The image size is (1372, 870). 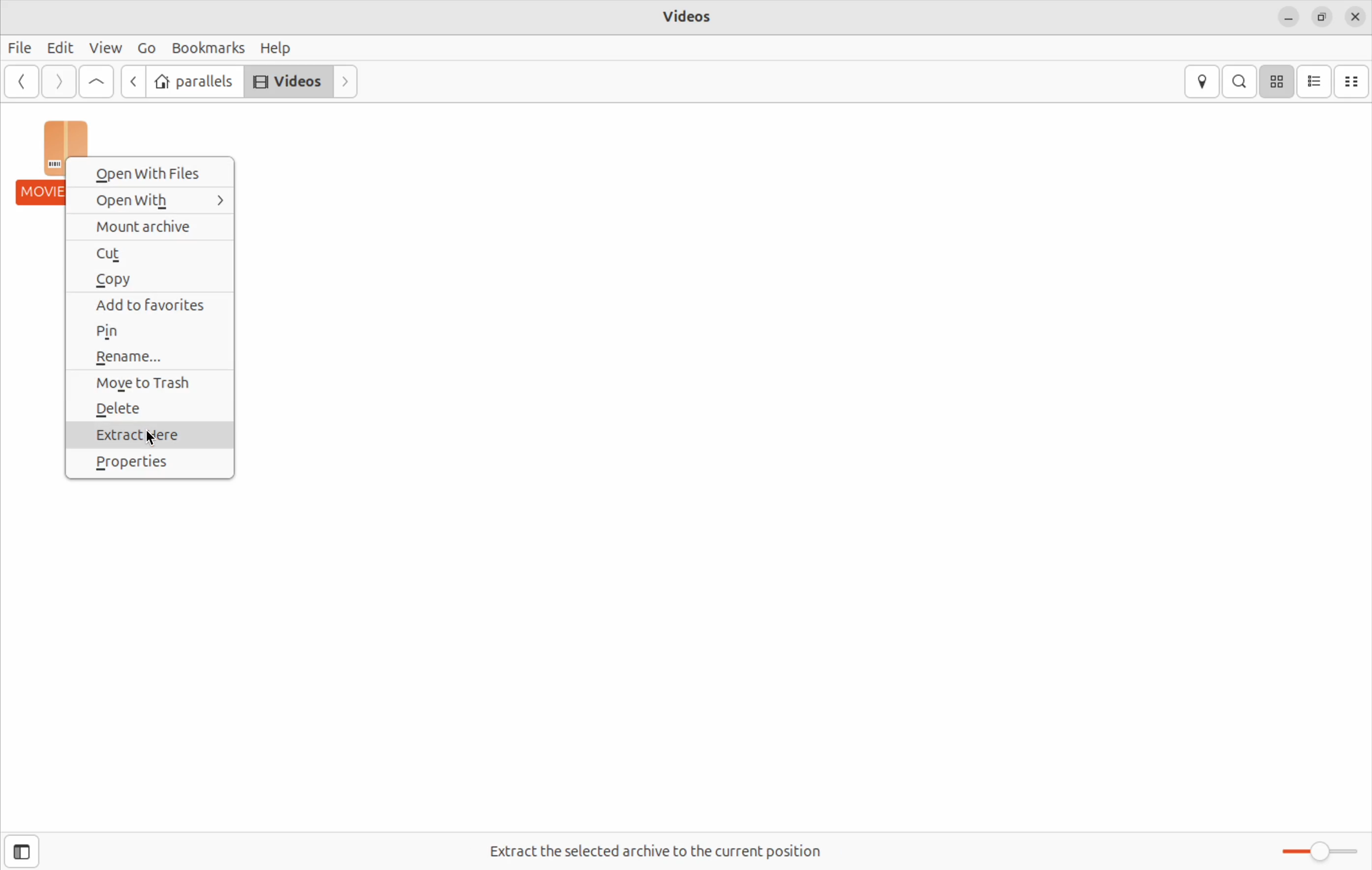 I want to click on move to trash, so click(x=154, y=382).